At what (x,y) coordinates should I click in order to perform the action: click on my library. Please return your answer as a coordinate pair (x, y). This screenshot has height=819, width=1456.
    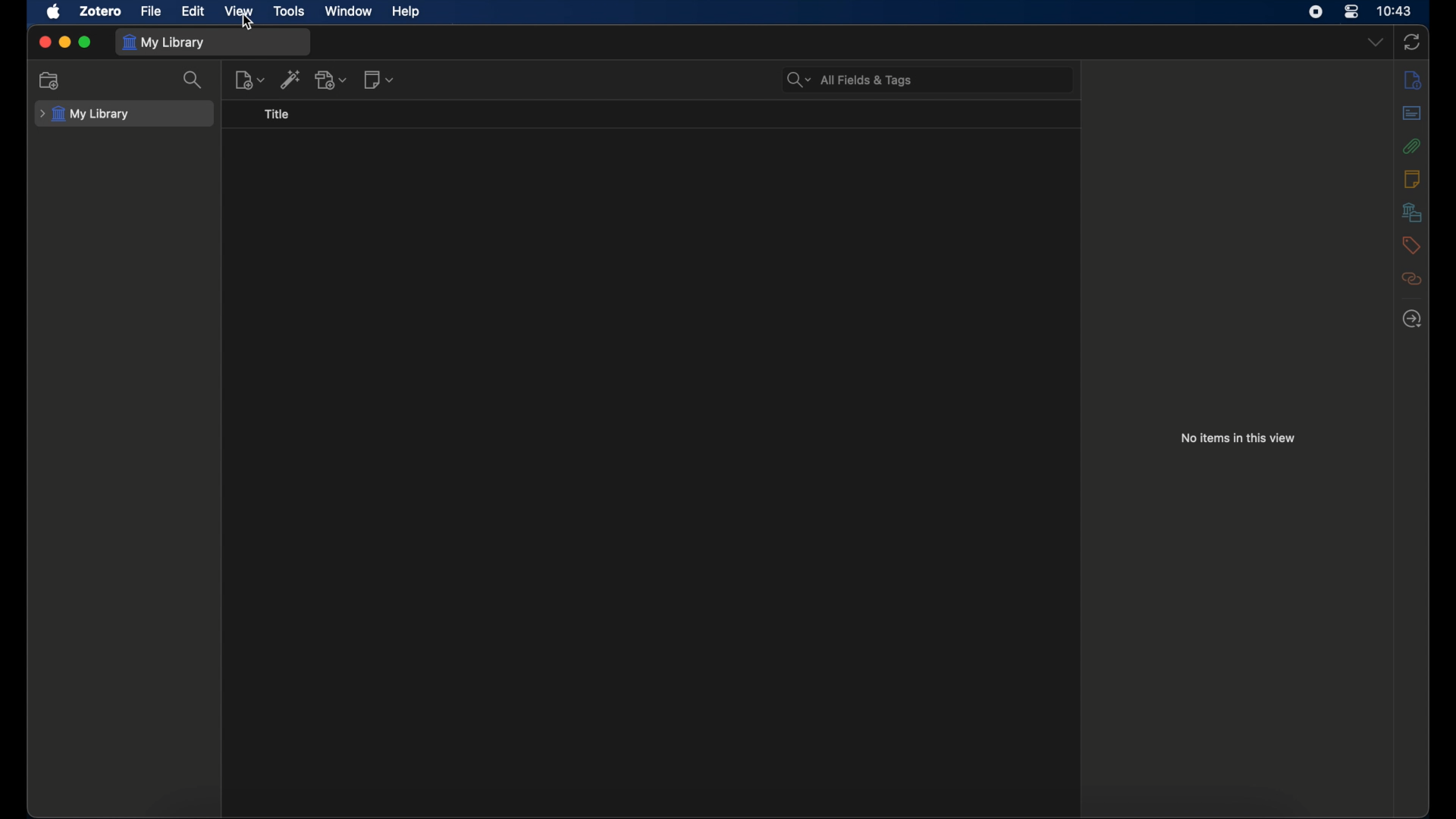
    Looking at the image, I should click on (164, 42).